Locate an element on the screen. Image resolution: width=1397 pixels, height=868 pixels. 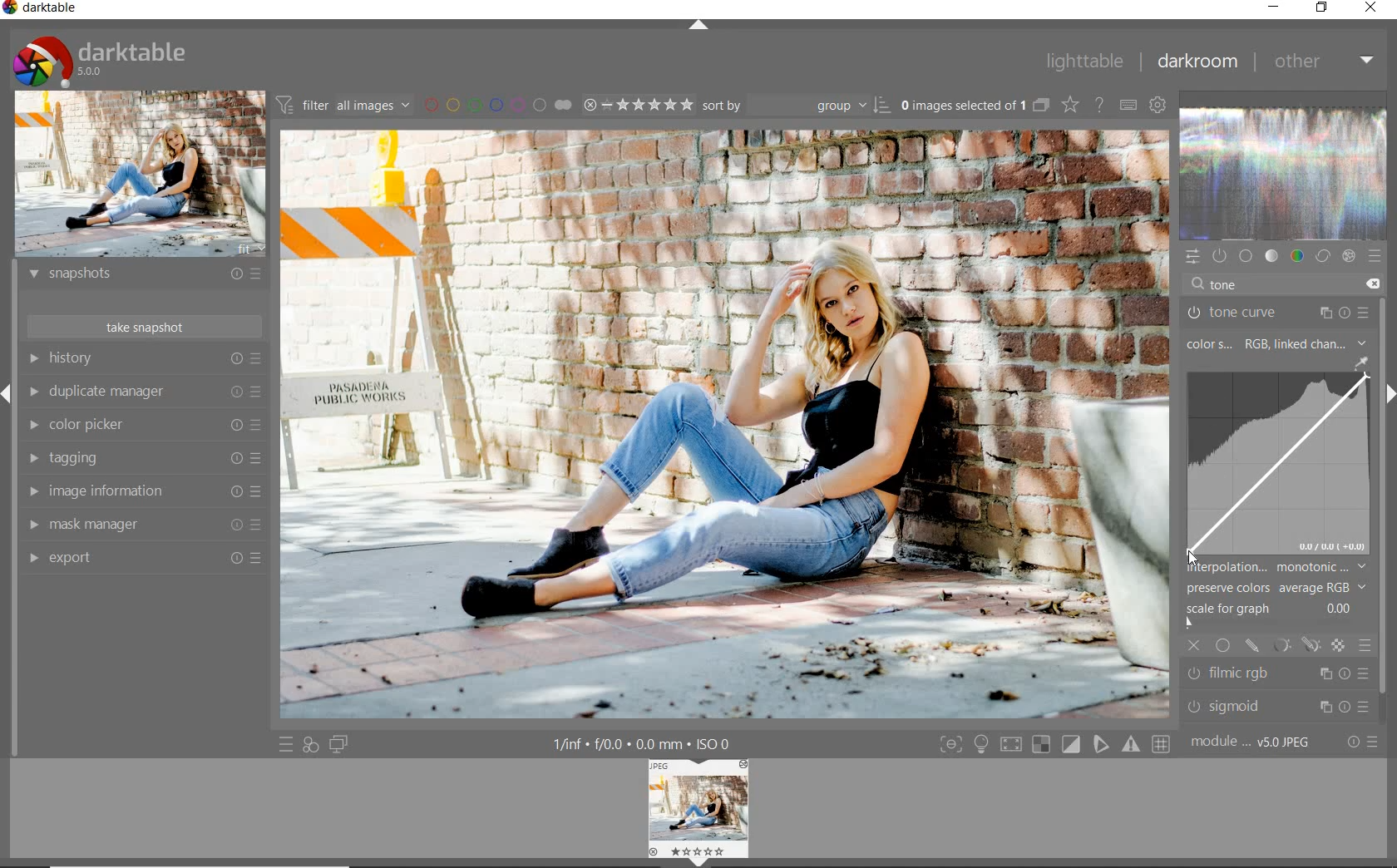
delete is located at coordinates (1373, 283).